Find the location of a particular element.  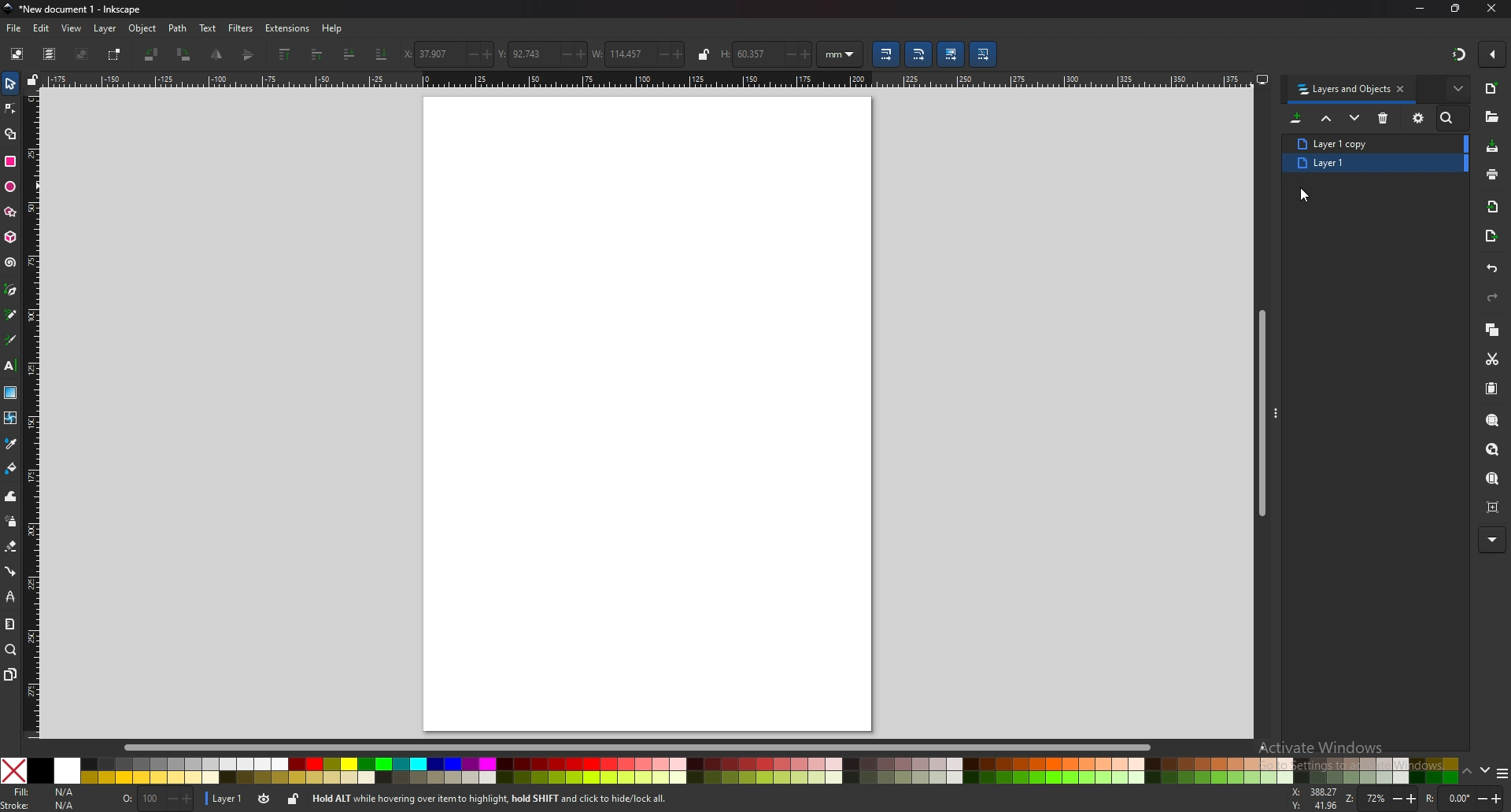

search is located at coordinates (1449, 118).